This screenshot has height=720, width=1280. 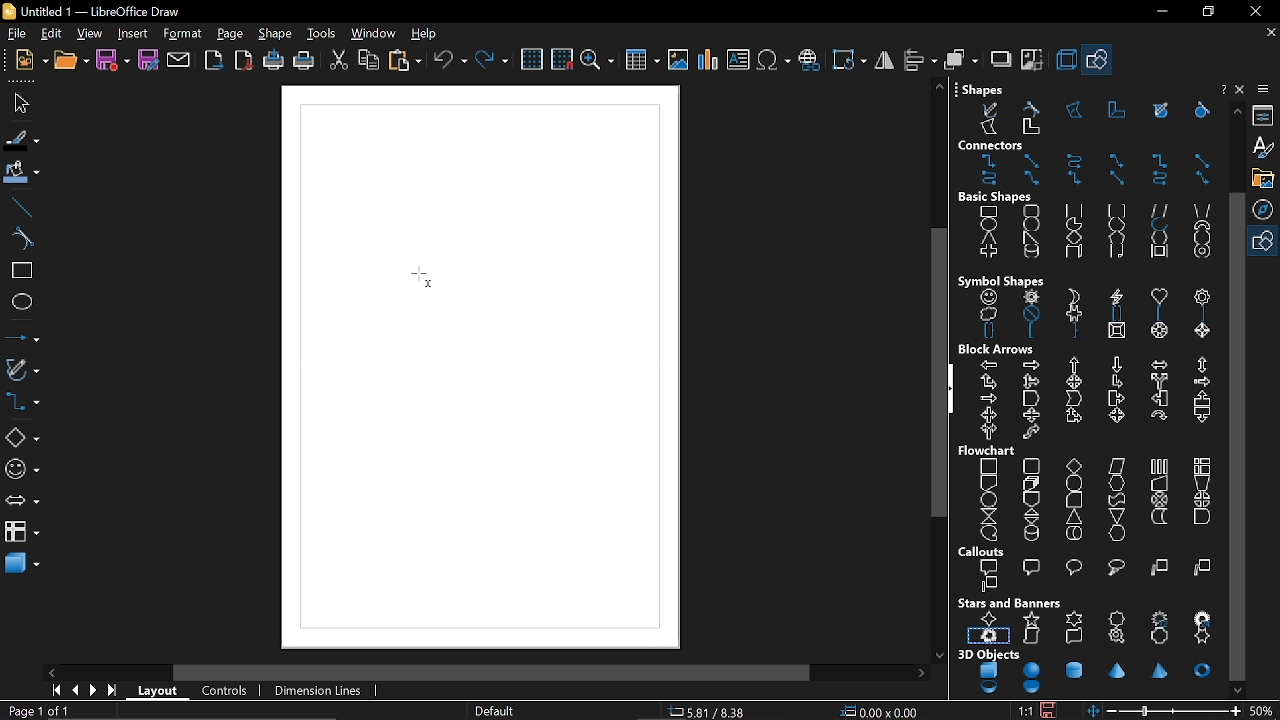 I want to click on insert, so click(x=135, y=33).